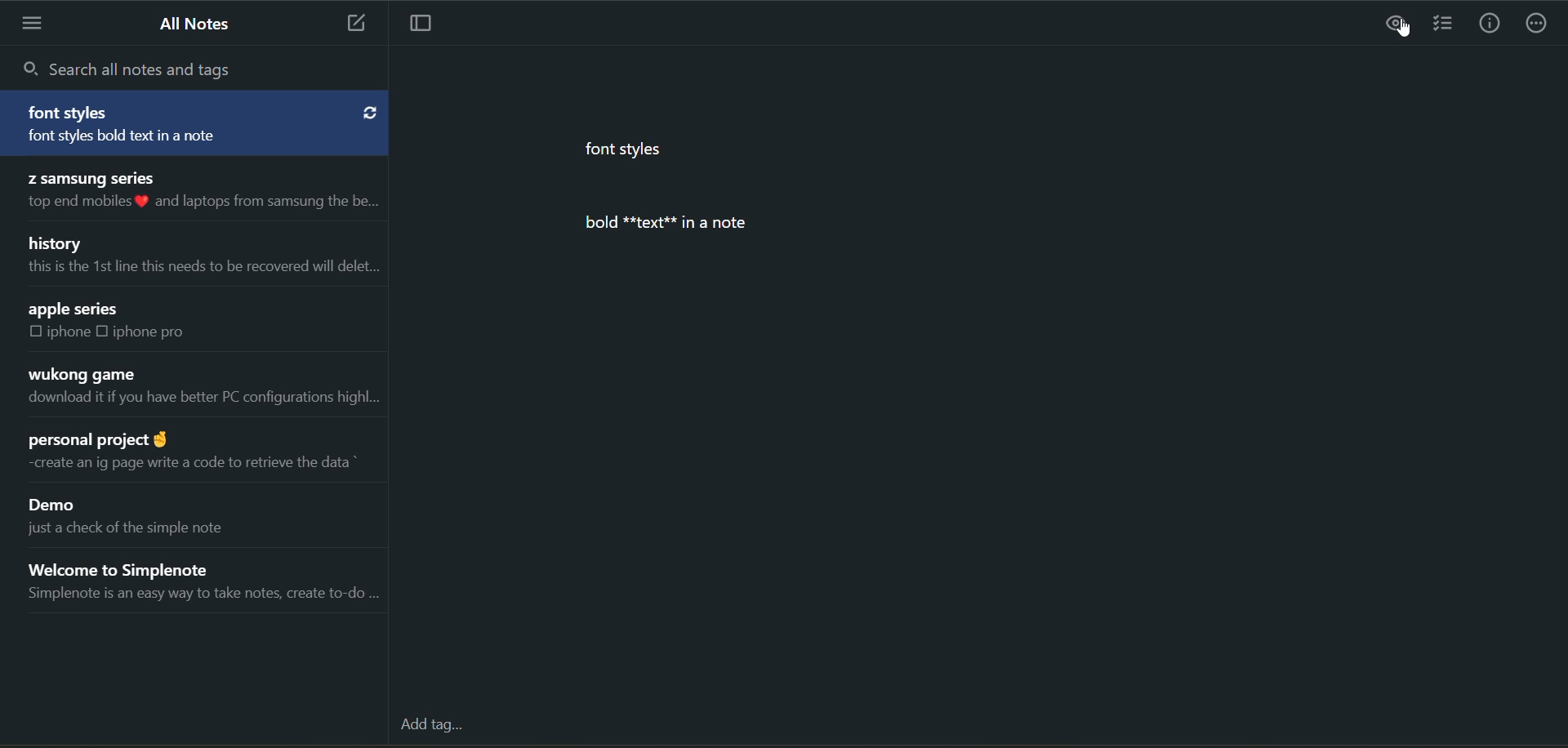  I want to click on top end mobiles % and laptops from samsung the be..., so click(198, 203).